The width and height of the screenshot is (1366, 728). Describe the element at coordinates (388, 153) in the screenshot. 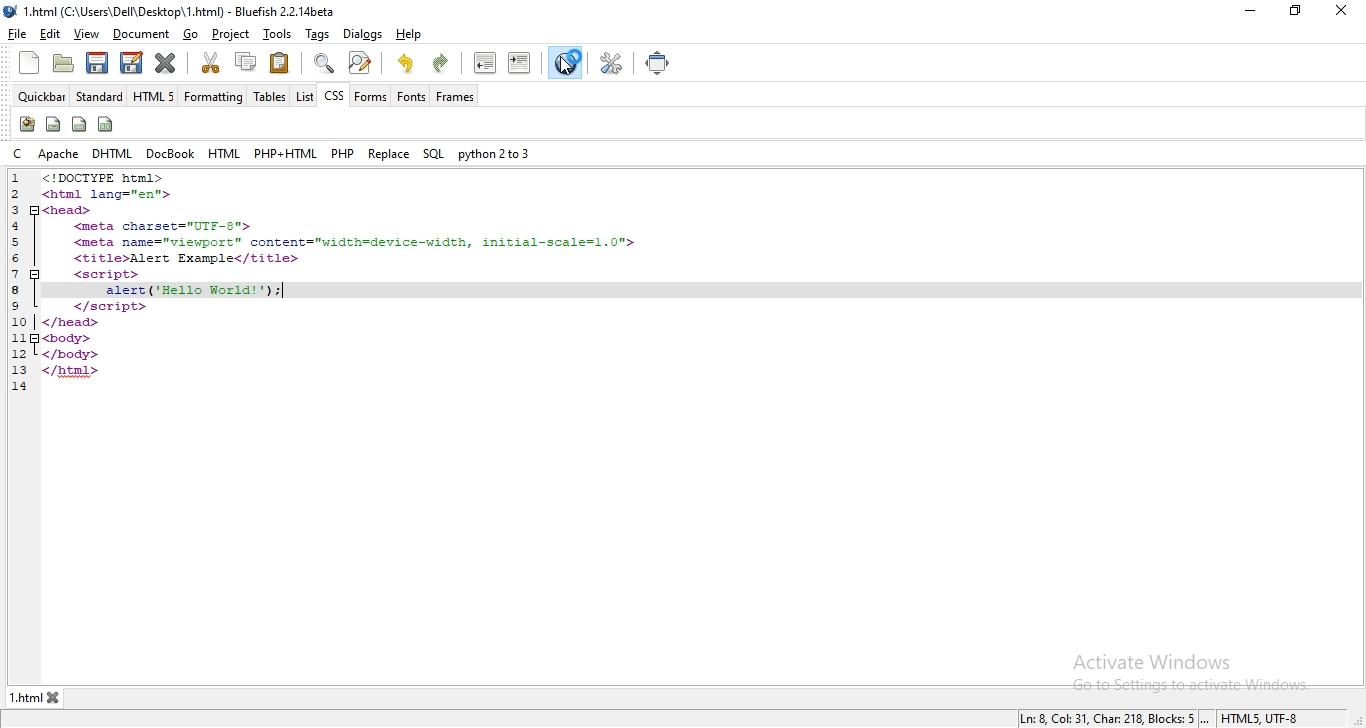

I see `replace` at that location.